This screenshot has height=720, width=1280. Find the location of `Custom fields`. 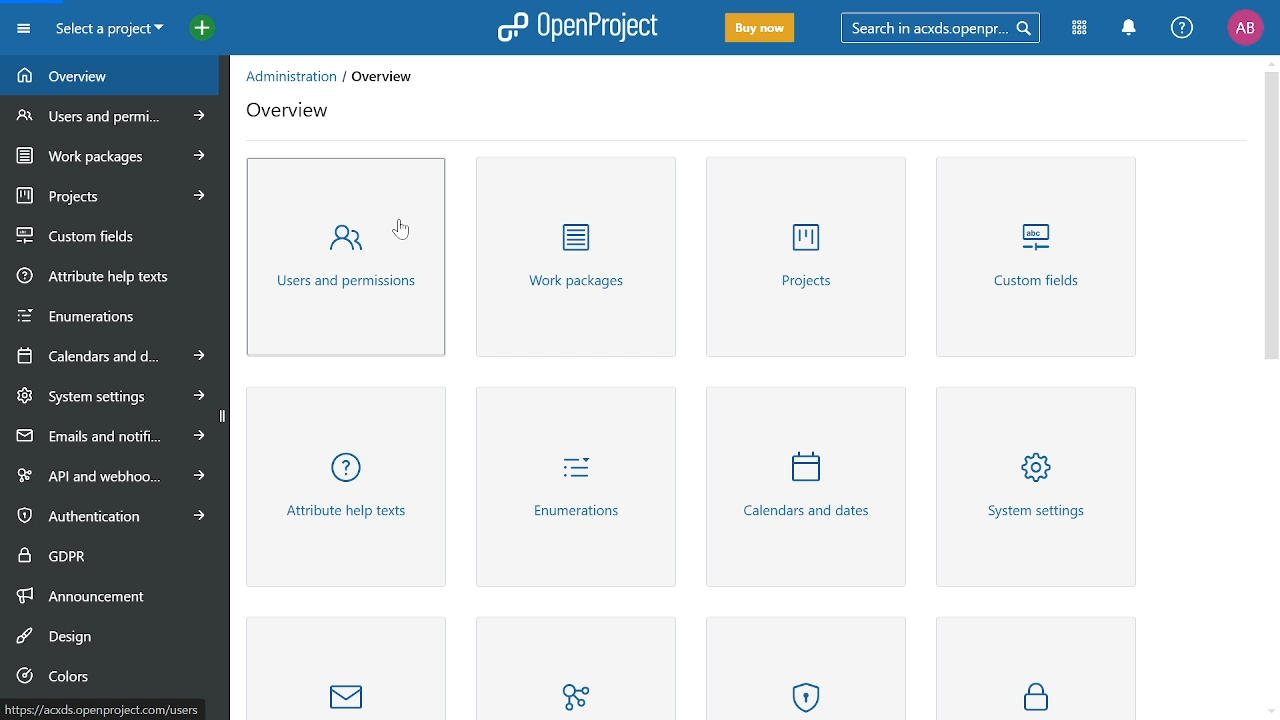

Custom fields is located at coordinates (98, 238).